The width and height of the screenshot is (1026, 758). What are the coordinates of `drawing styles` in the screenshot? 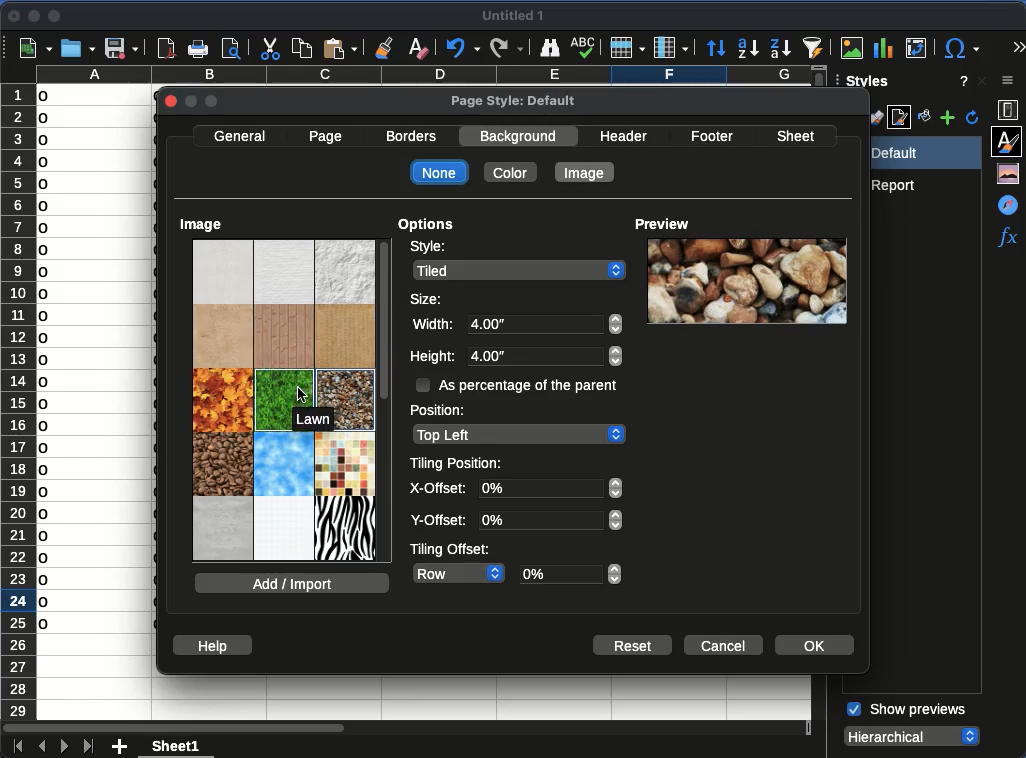 It's located at (876, 117).